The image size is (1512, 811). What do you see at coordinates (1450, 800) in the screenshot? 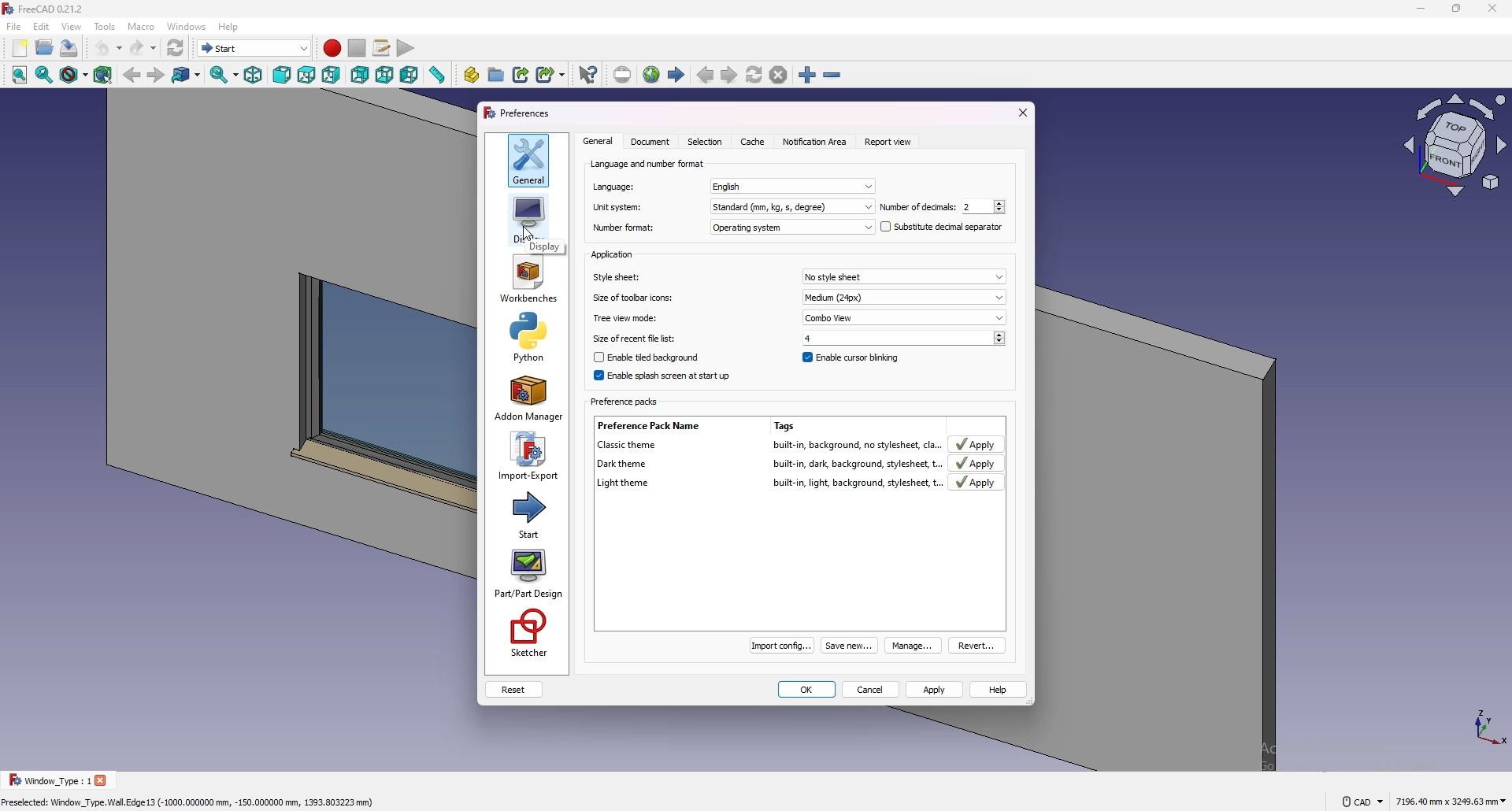
I see `7196.40 mm x 3249.63 mm ¥` at bounding box center [1450, 800].